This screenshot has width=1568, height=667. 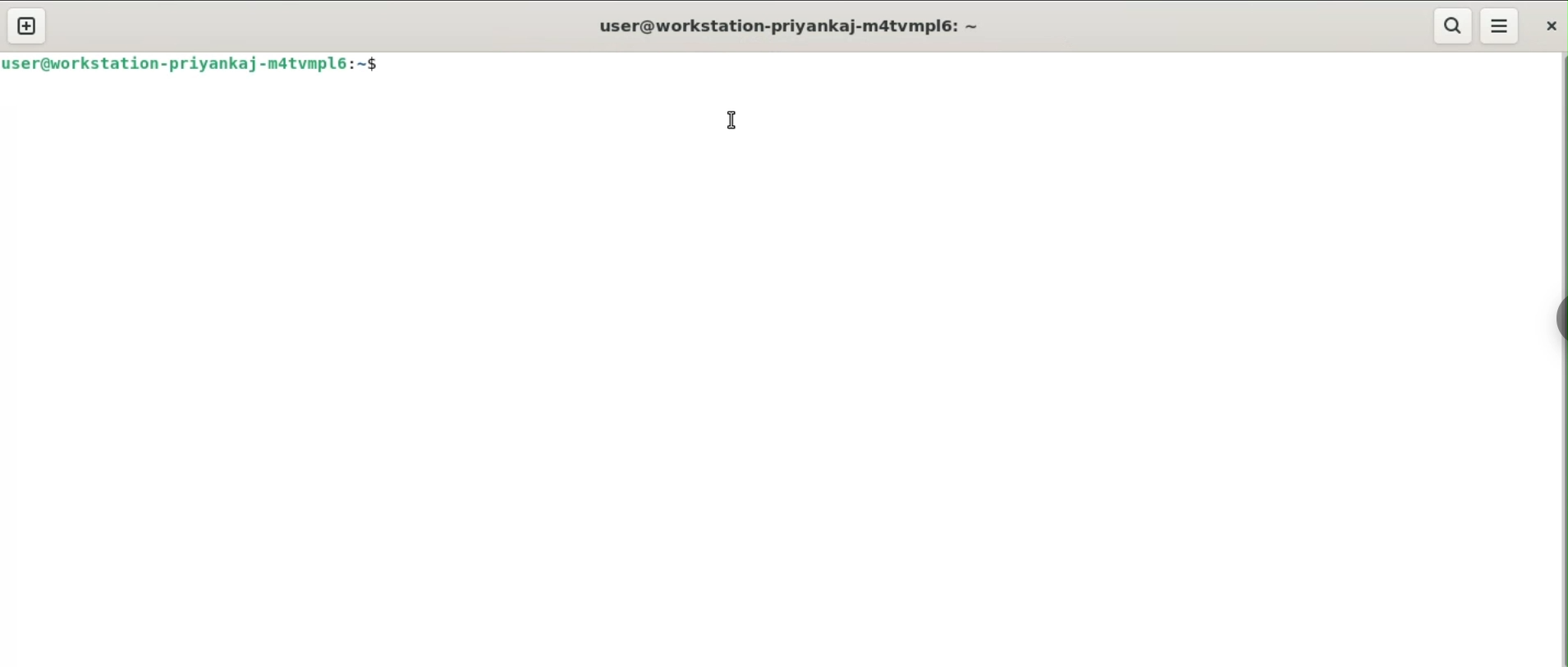 What do you see at coordinates (1553, 25) in the screenshot?
I see `close` at bounding box center [1553, 25].